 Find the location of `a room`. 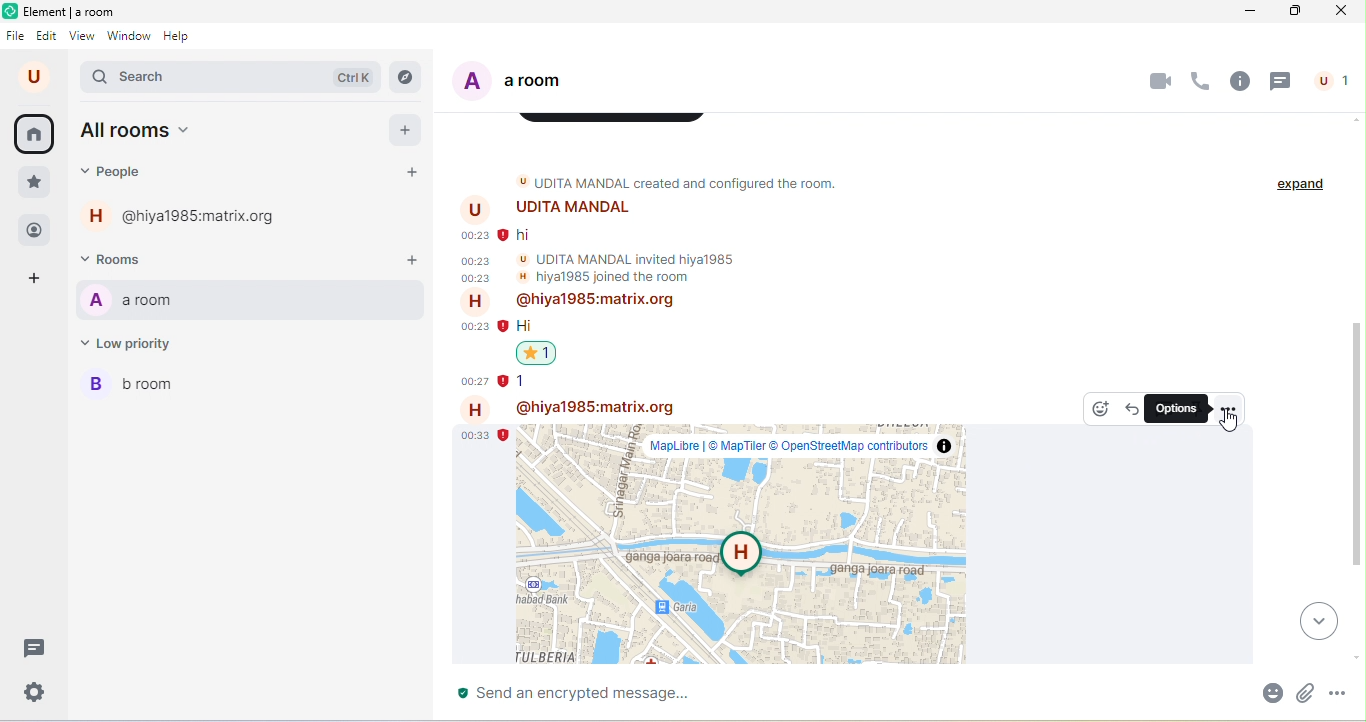

a room is located at coordinates (525, 81).